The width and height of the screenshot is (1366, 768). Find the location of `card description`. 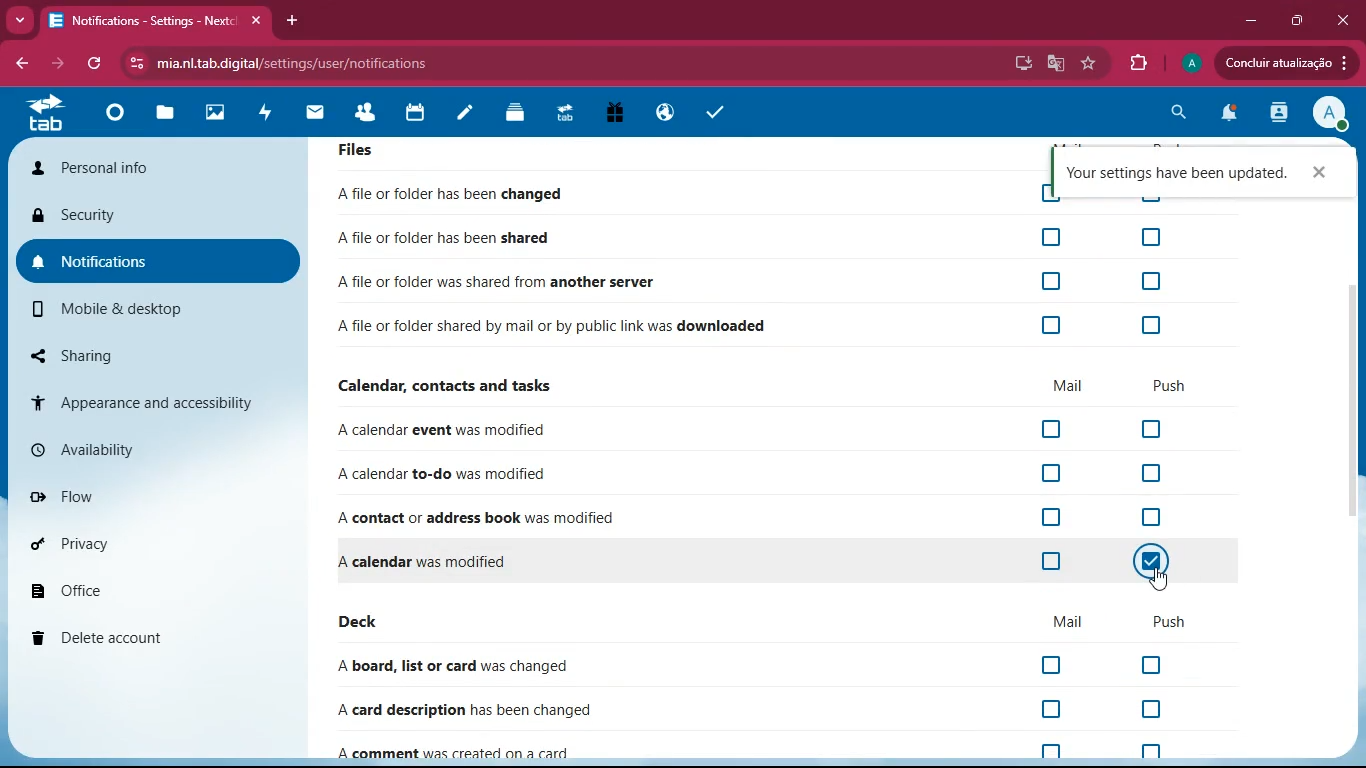

card description is located at coordinates (473, 708).